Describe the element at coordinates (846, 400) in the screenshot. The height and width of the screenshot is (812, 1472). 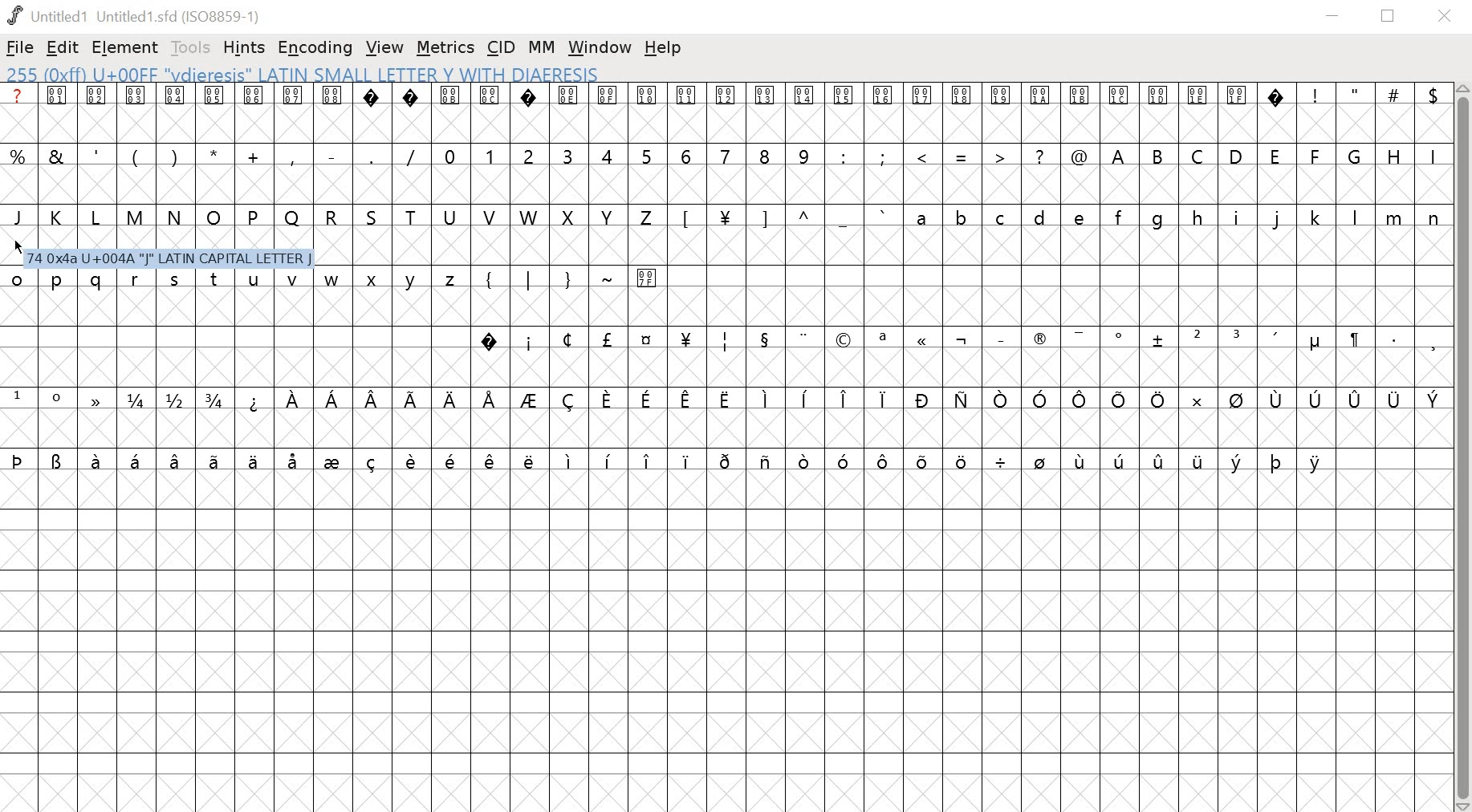
I see `symbols` at that location.